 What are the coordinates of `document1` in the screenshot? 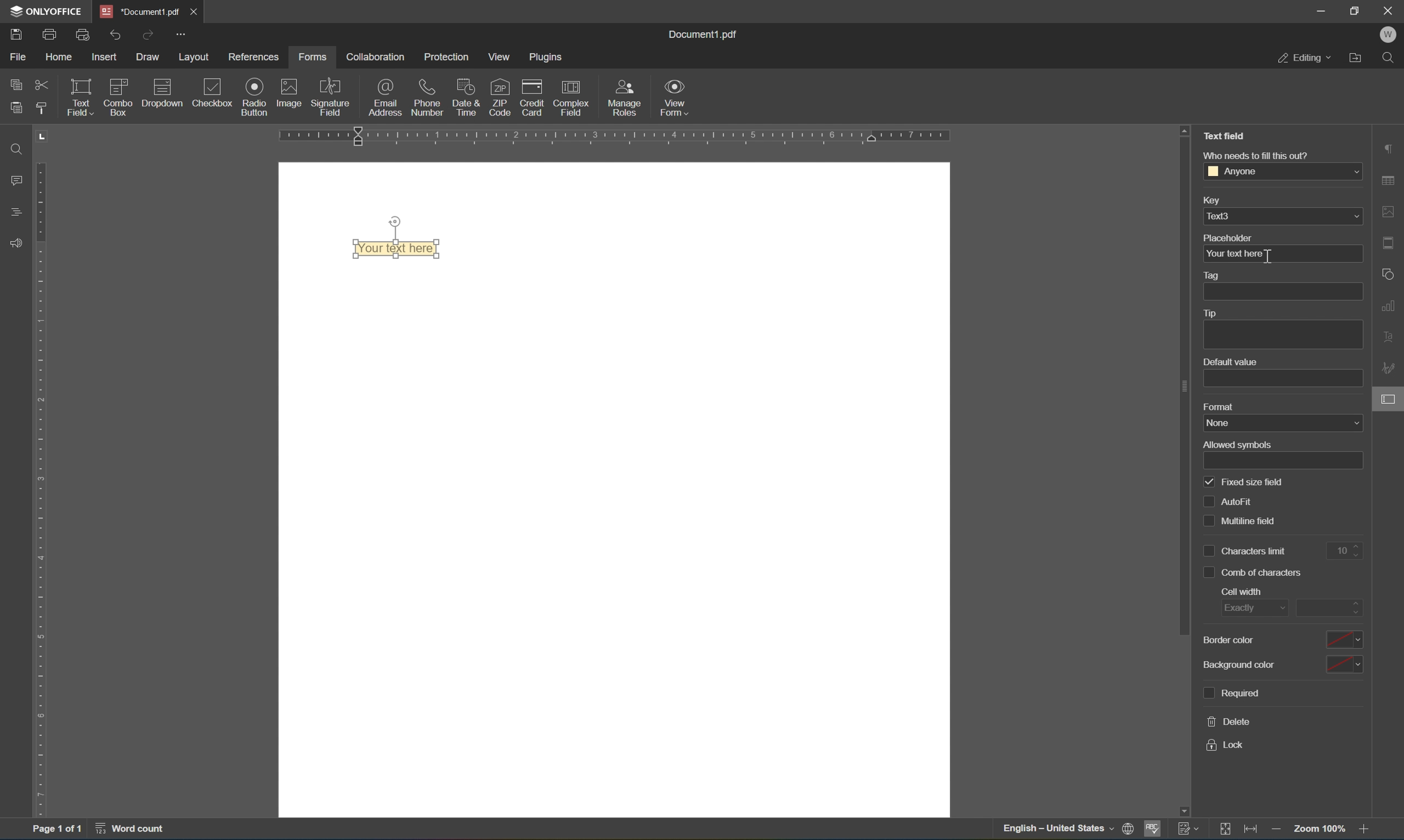 It's located at (143, 11).